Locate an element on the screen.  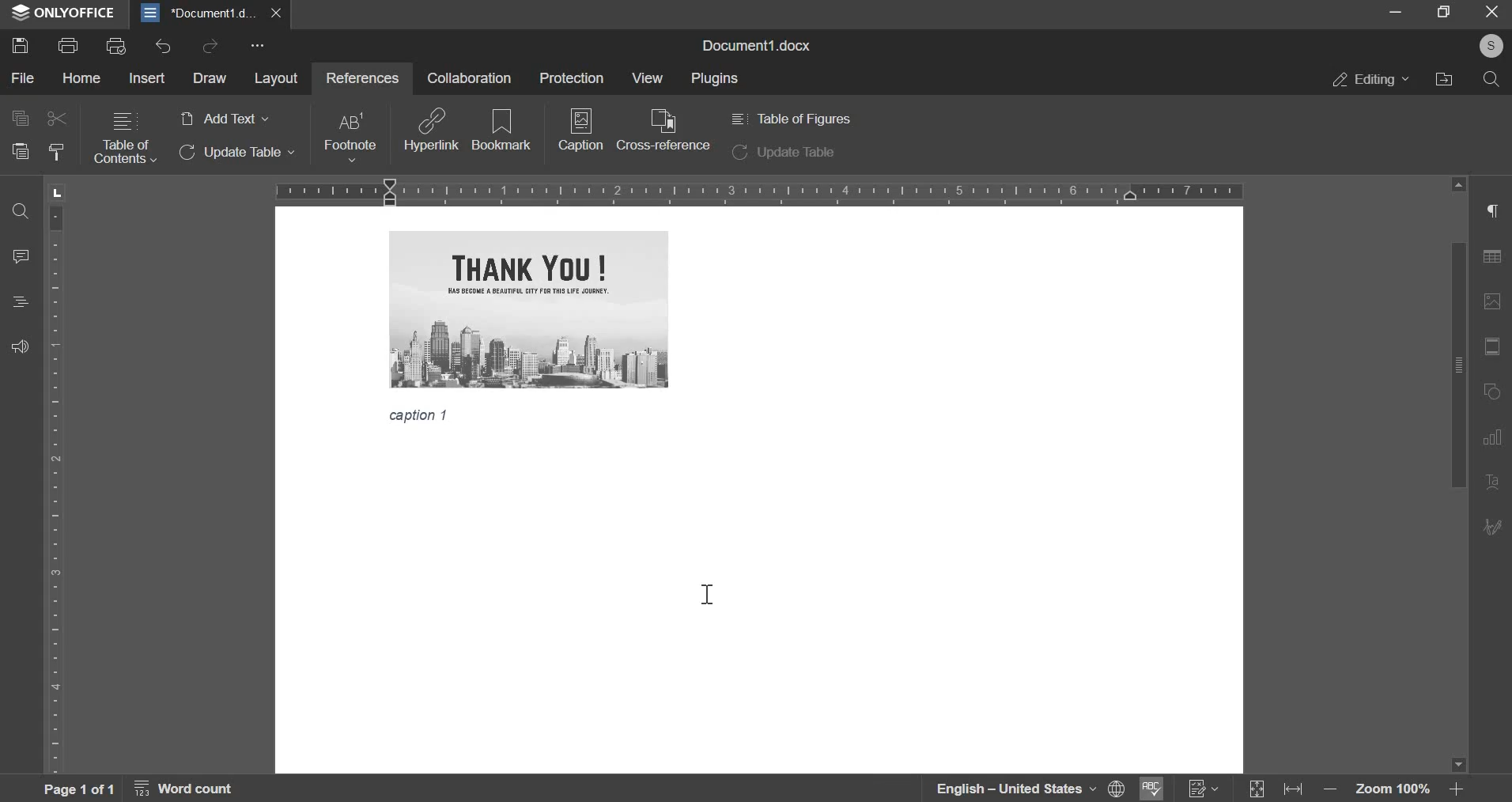
Edit is located at coordinates (1494, 525).